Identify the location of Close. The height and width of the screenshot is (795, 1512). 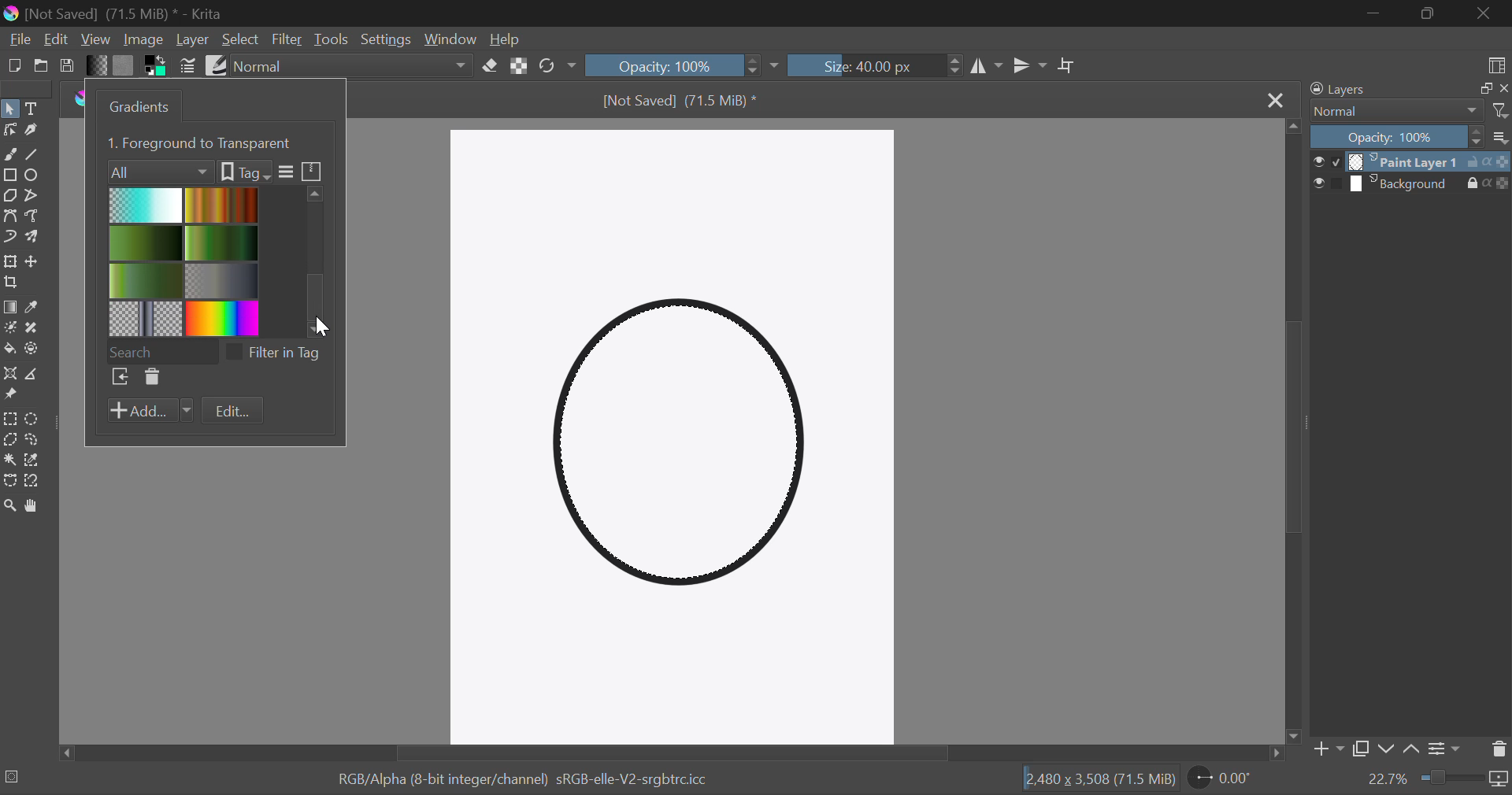
(1488, 14).